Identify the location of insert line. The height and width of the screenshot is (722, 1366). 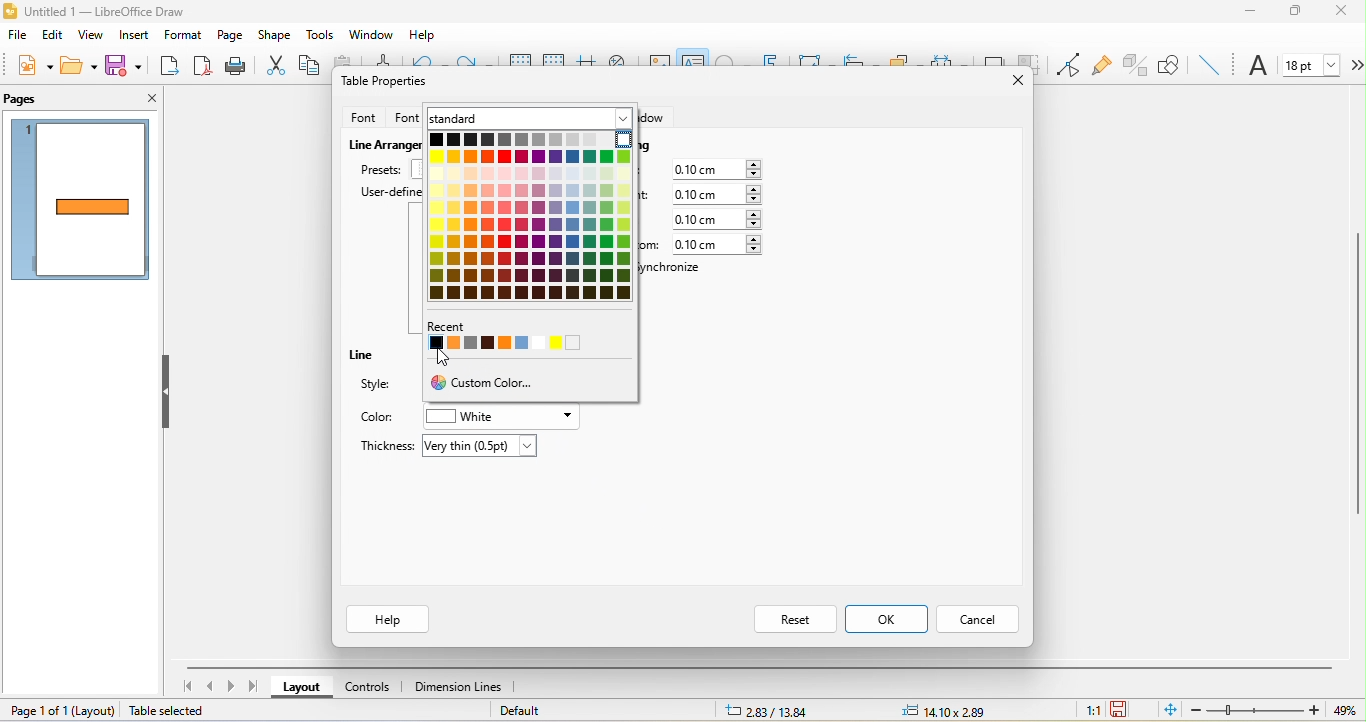
(1209, 64).